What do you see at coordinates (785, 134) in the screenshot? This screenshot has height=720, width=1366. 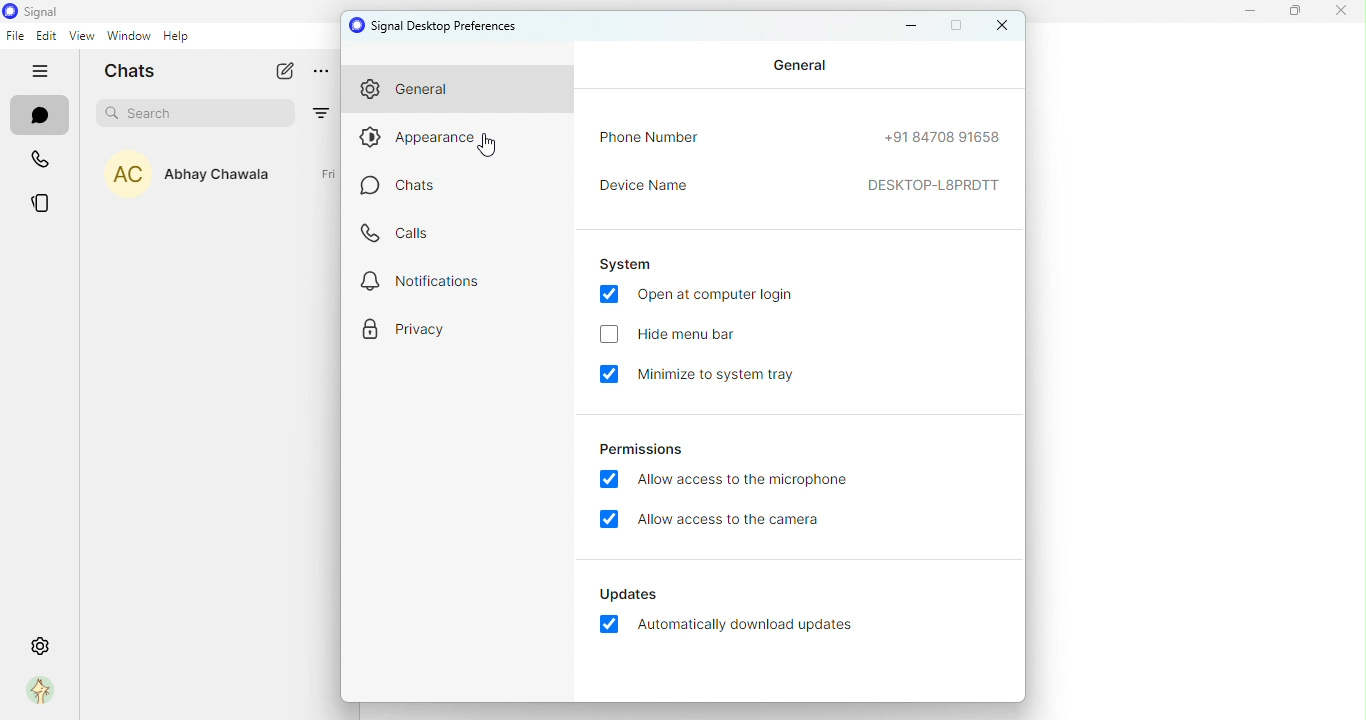 I see `phone number` at bounding box center [785, 134].